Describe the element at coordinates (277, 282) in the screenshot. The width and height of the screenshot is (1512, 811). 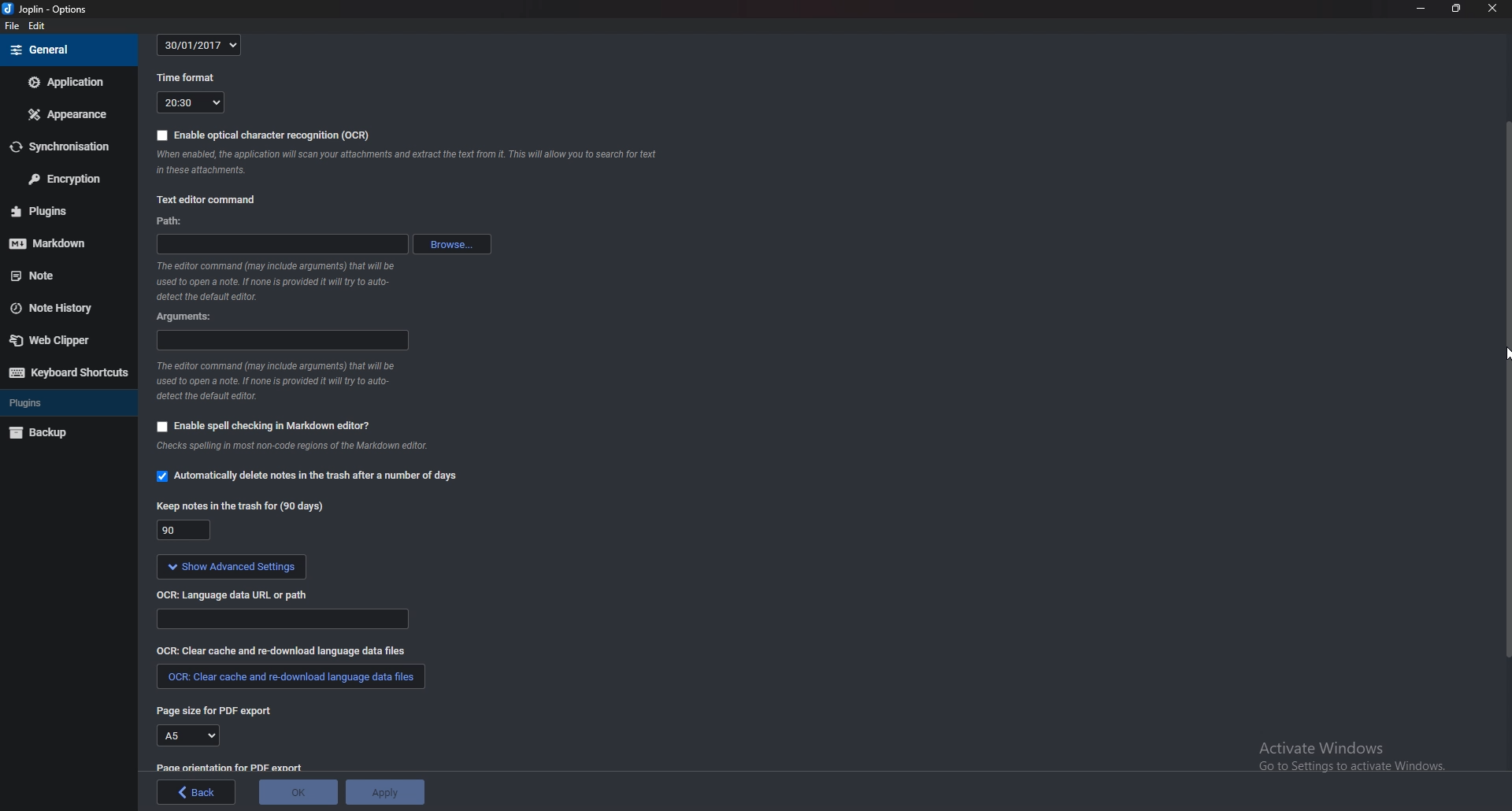
I see `info on editor command` at that location.